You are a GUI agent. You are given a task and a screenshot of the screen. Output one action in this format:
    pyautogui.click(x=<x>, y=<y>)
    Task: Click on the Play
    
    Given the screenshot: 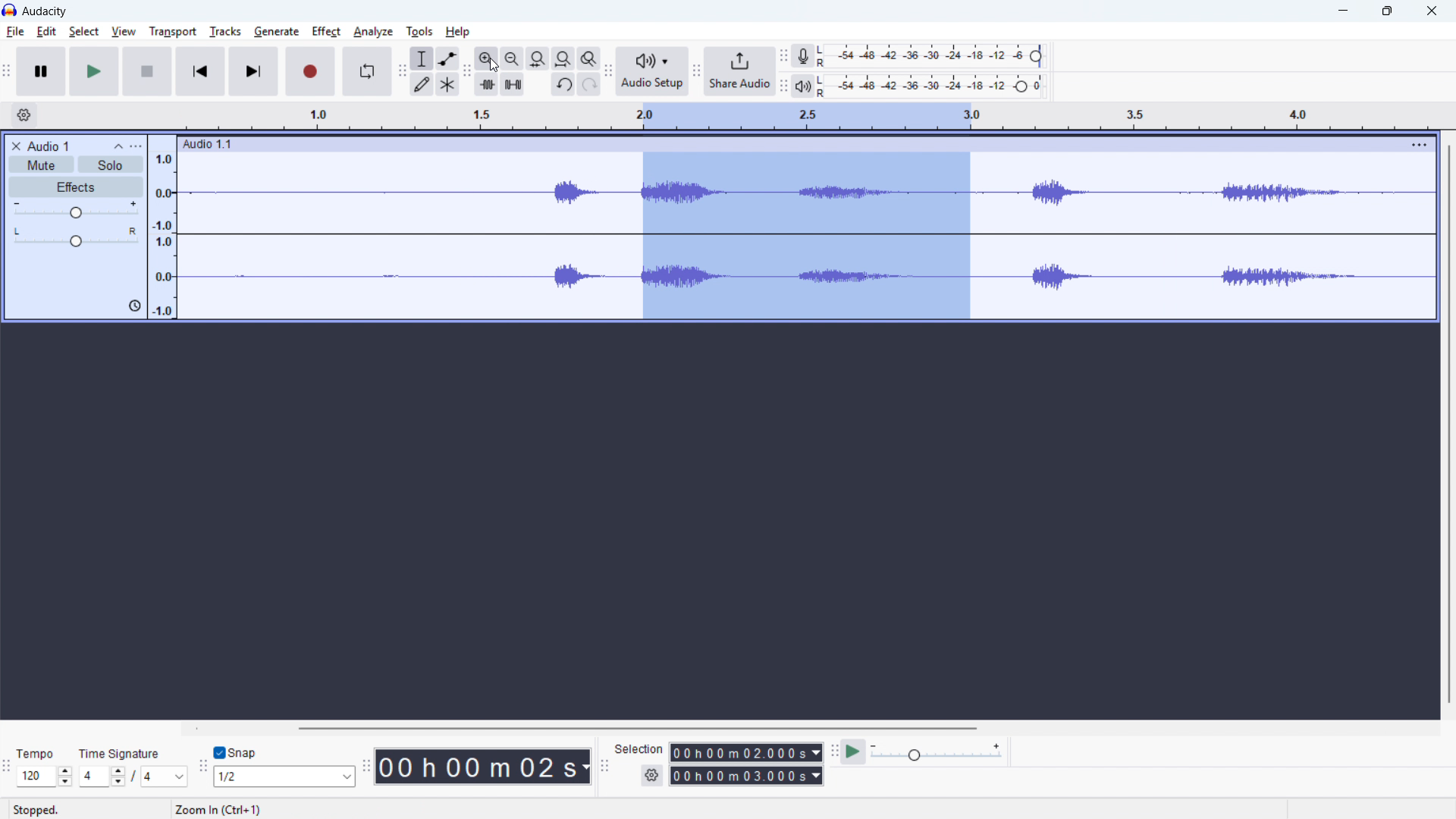 What is the action you would take?
    pyautogui.click(x=94, y=71)
    